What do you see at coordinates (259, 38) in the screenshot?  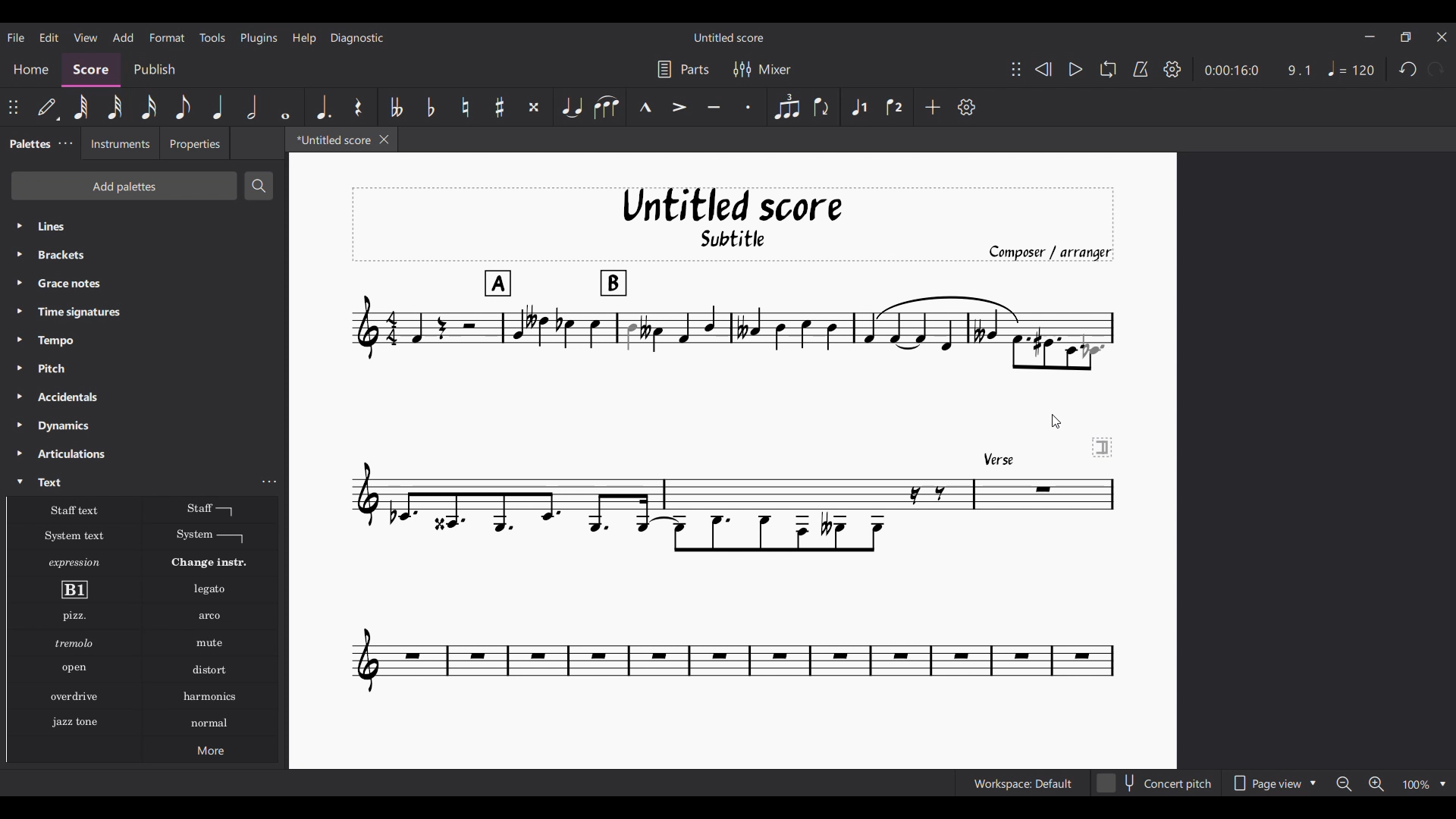 I see `Plugins menu` at bounding box center [259, 38].